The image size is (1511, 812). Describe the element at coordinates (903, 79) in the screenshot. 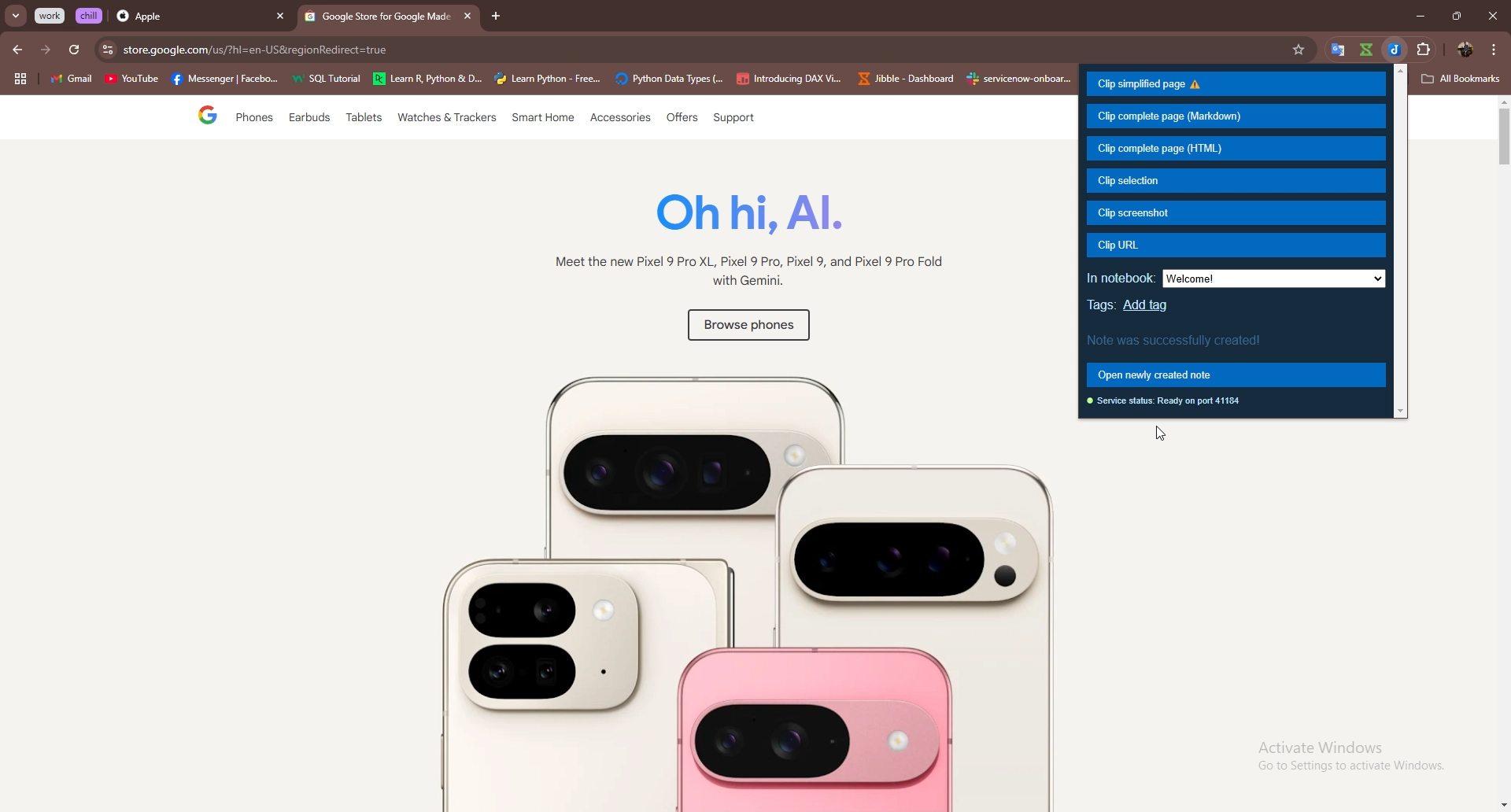

I see `Jibble - Dashboard` at that location.